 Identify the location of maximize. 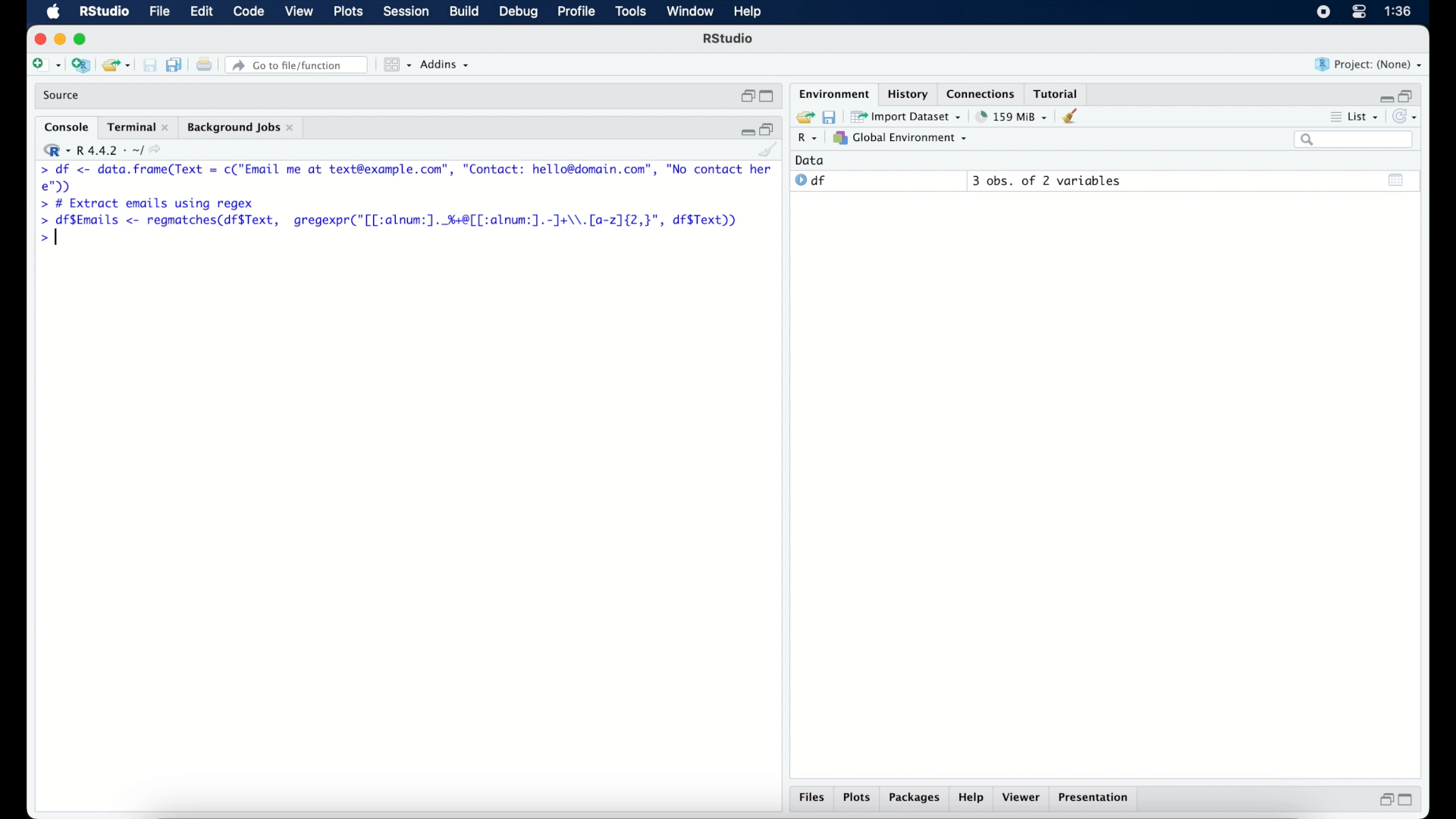
(82, 39).